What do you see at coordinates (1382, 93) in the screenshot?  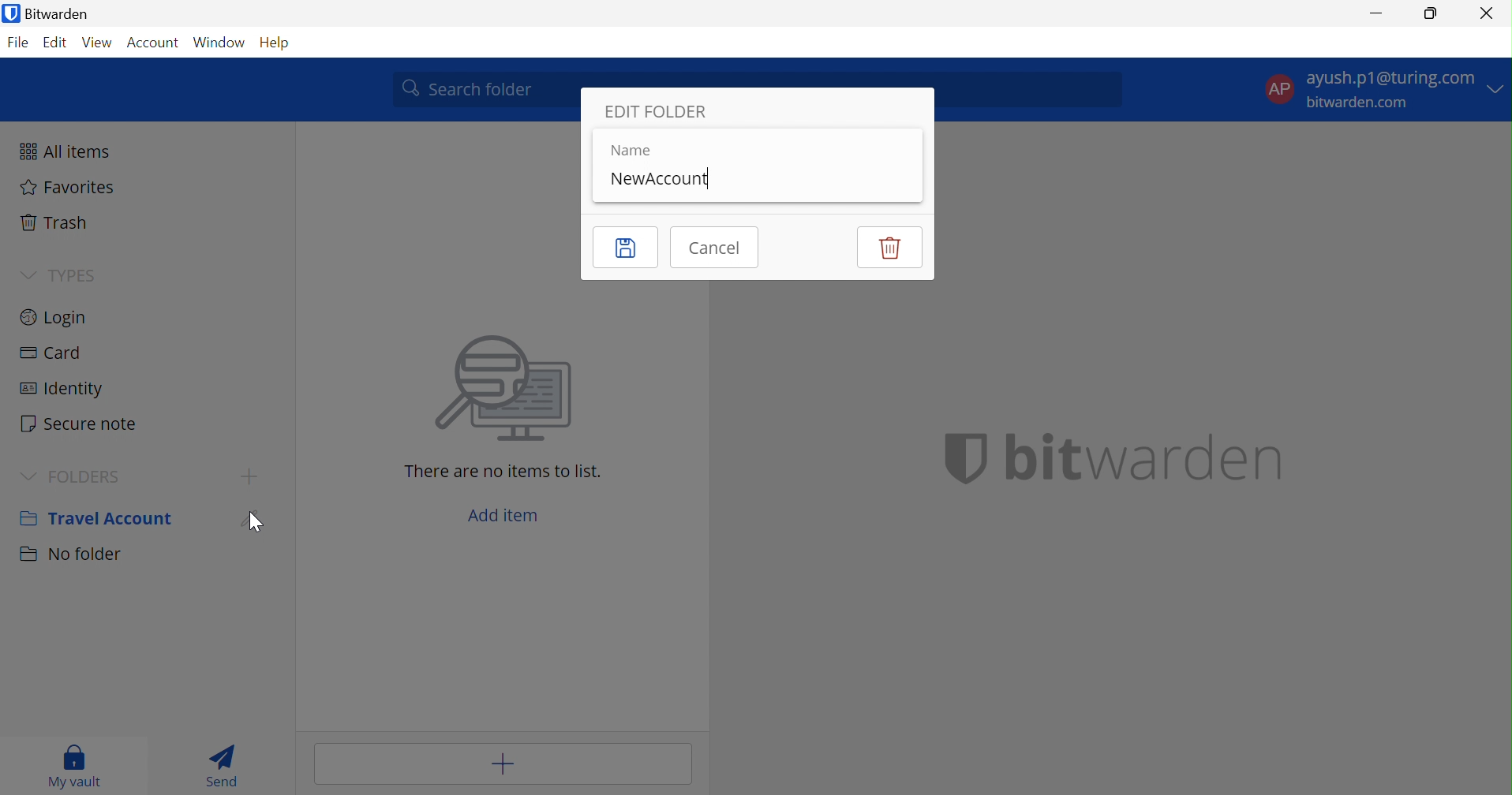 I see `account options Drop Down` at bounding box center [1382, 93].